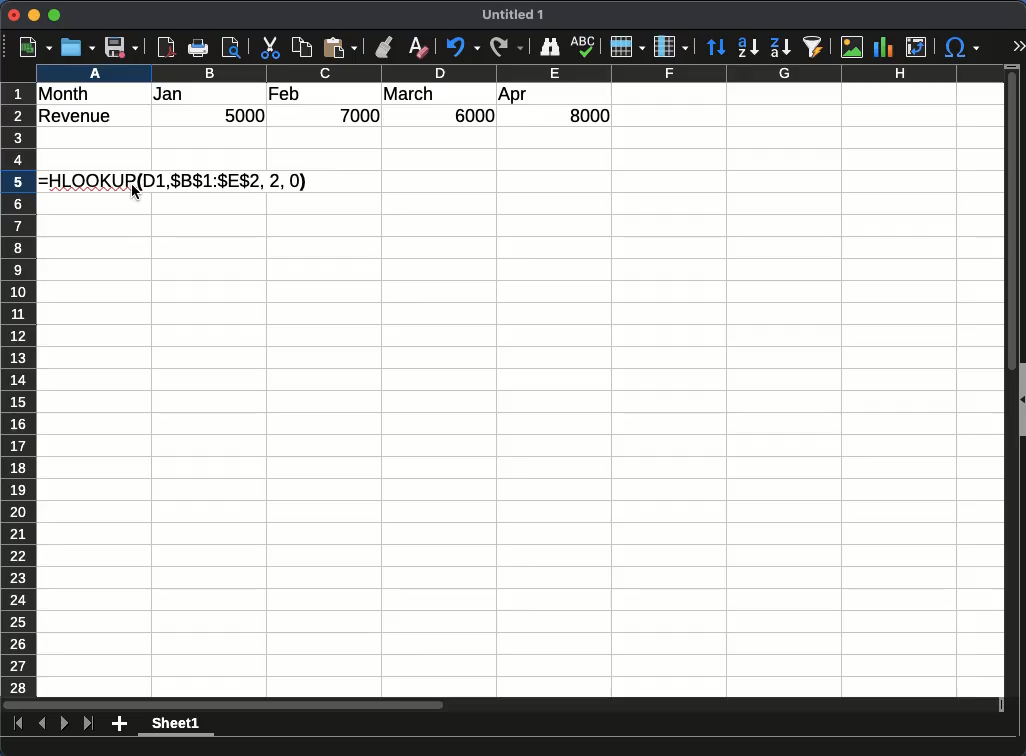 The width and height of the screenshot is (1026, 756). I want to click on close, so click(14, 15).